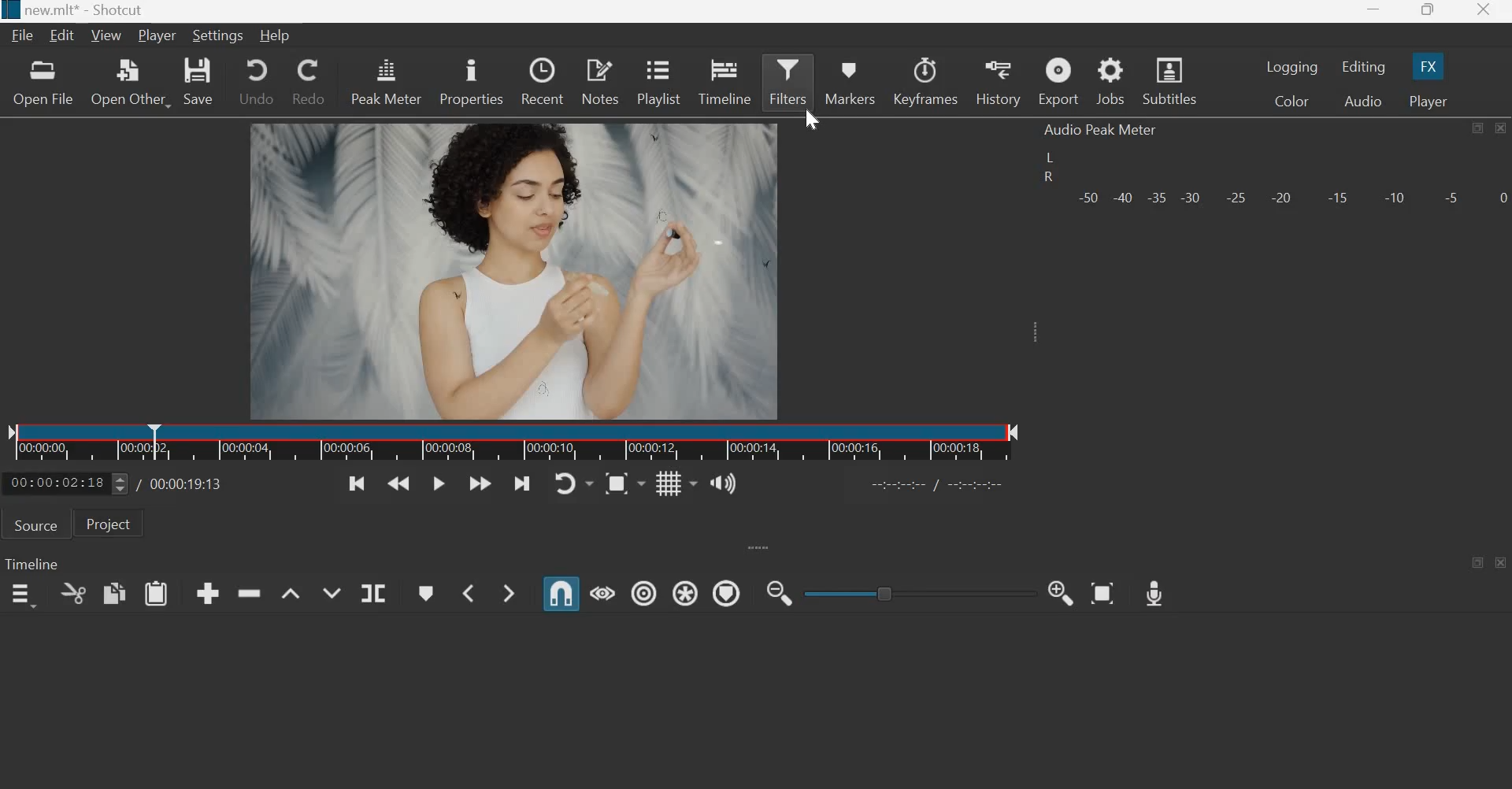  I want to click on Timeline, so click(724, 80).